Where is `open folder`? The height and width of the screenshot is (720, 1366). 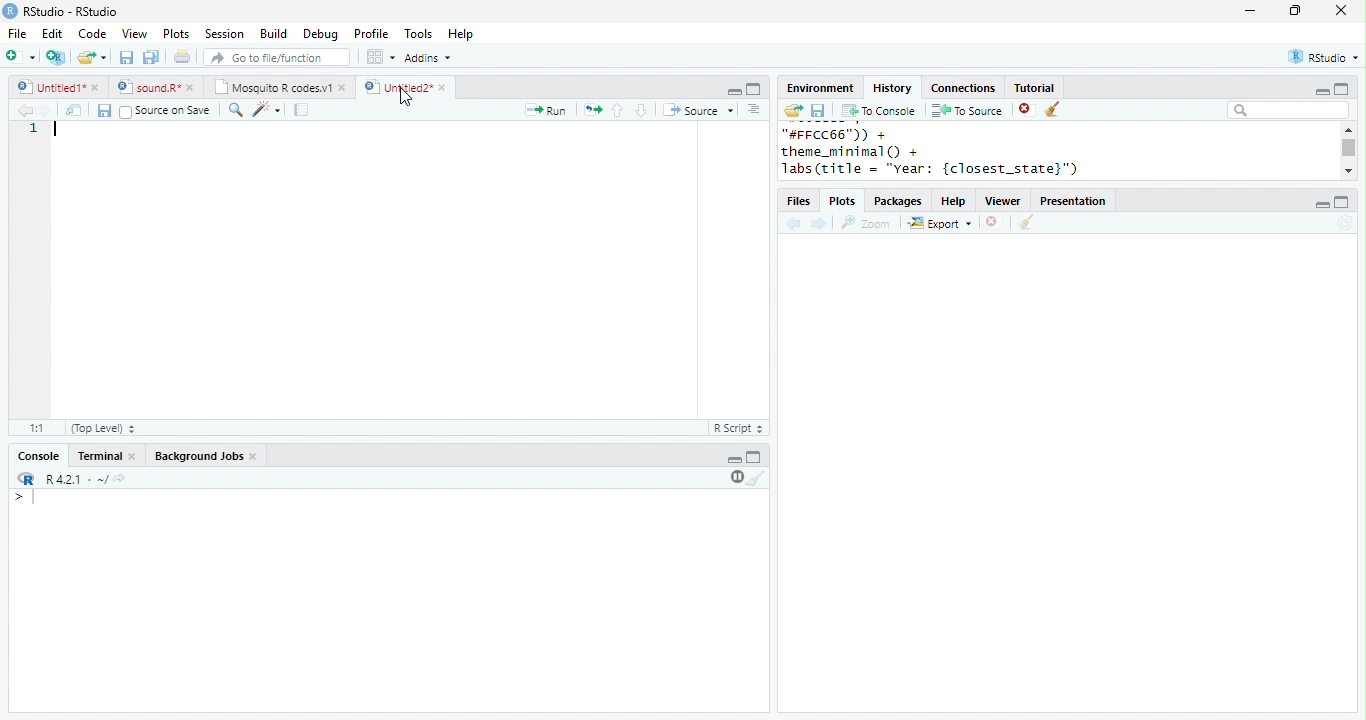
open folder is located at coordinates (794, 110).